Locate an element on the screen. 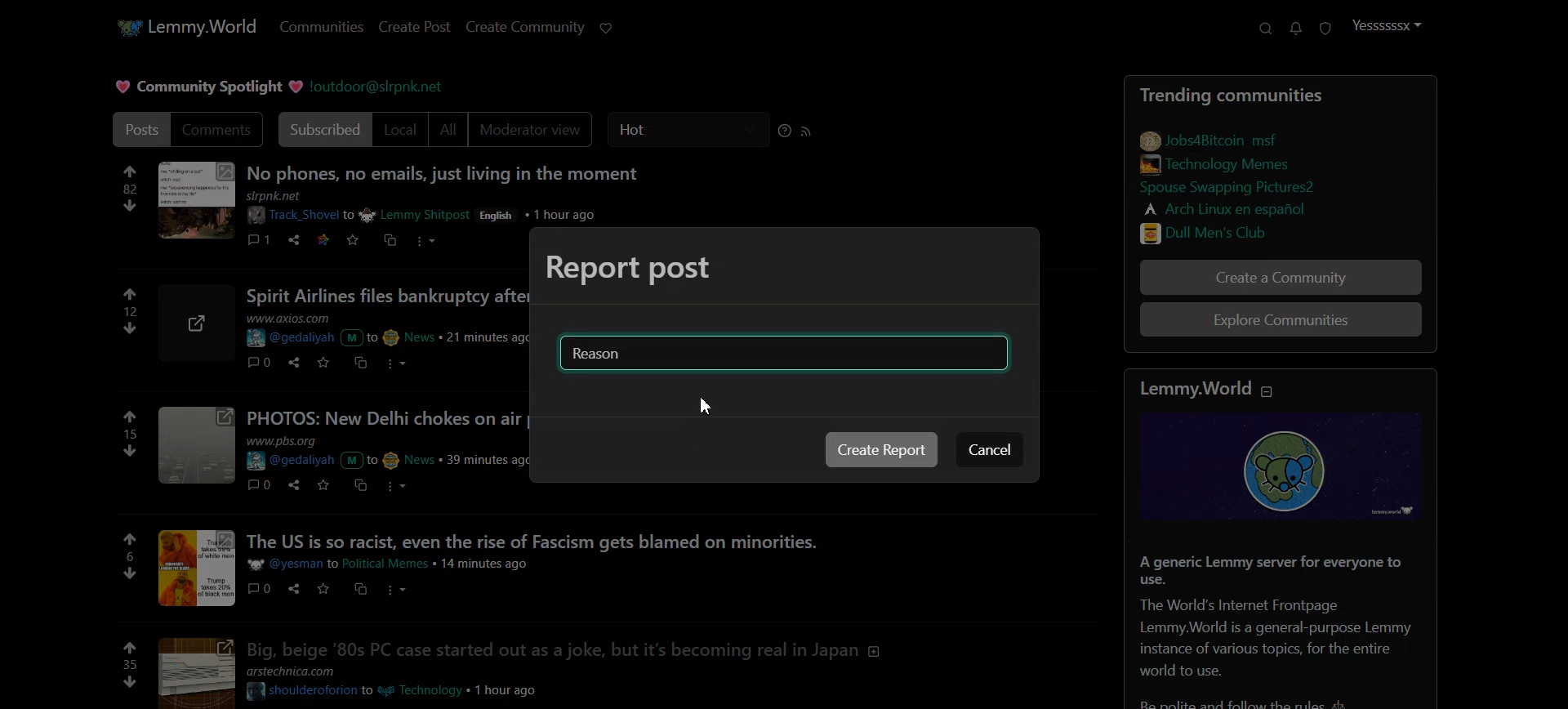 The width and height of the screenshot is (1568, 709). All is located at coordinates (448, 130).